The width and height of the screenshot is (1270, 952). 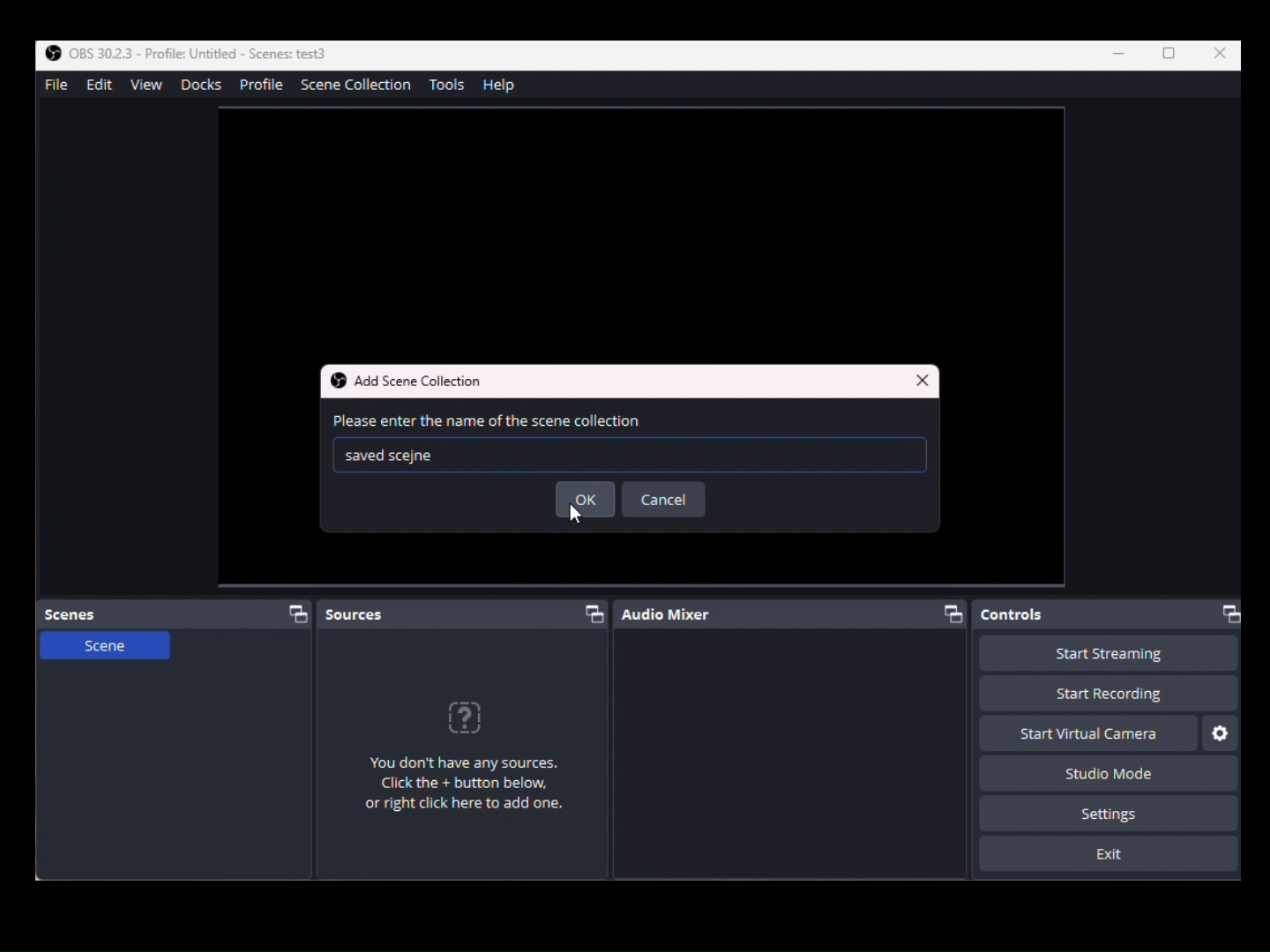 I want to click on Scene, so click(x=103, y=652).